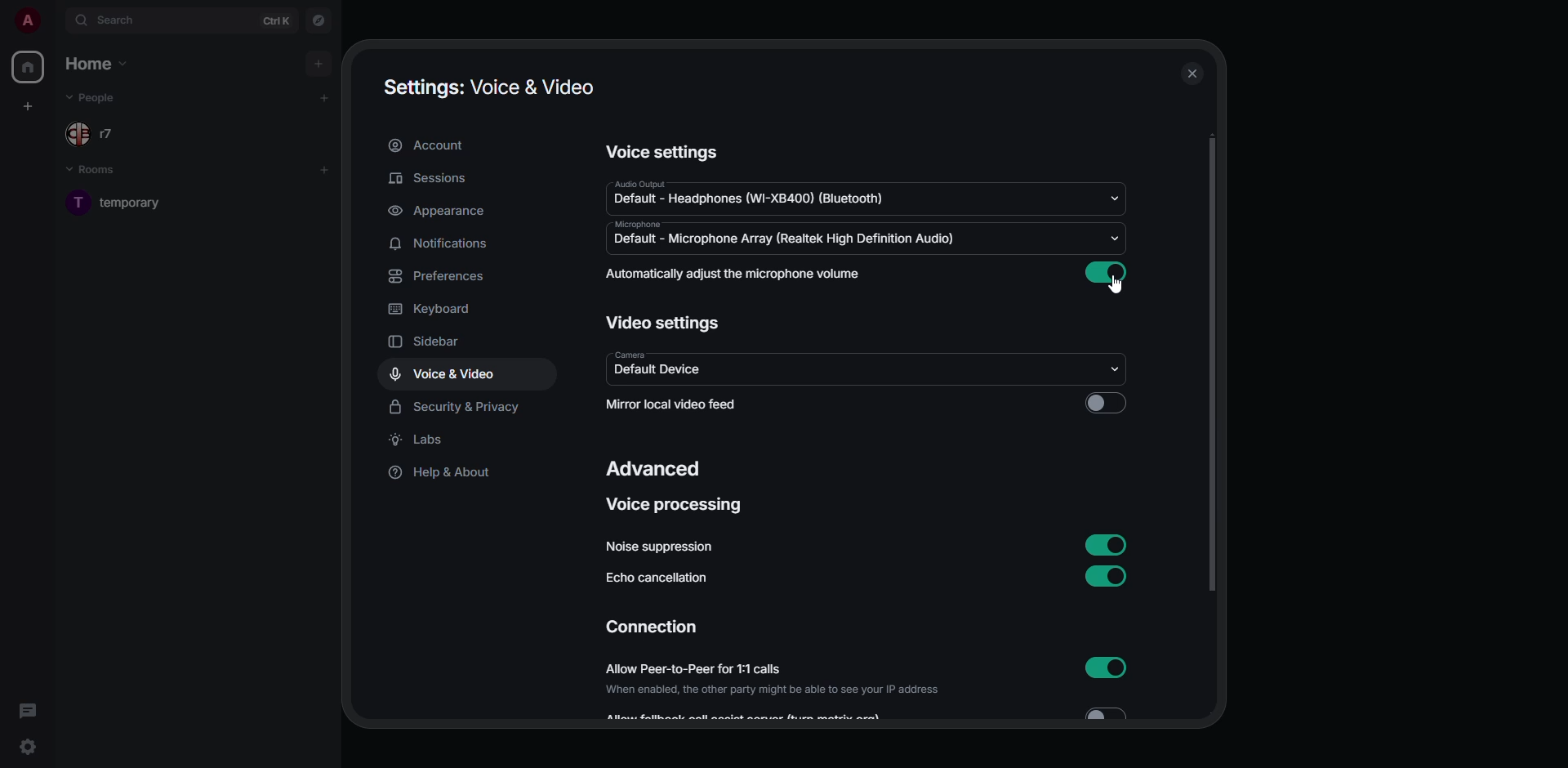 This screenshot has height=768, width=1568. What do you see at coordinates (325, 97) in the screenshot?
I see `add` at bounding box center [325, 97].